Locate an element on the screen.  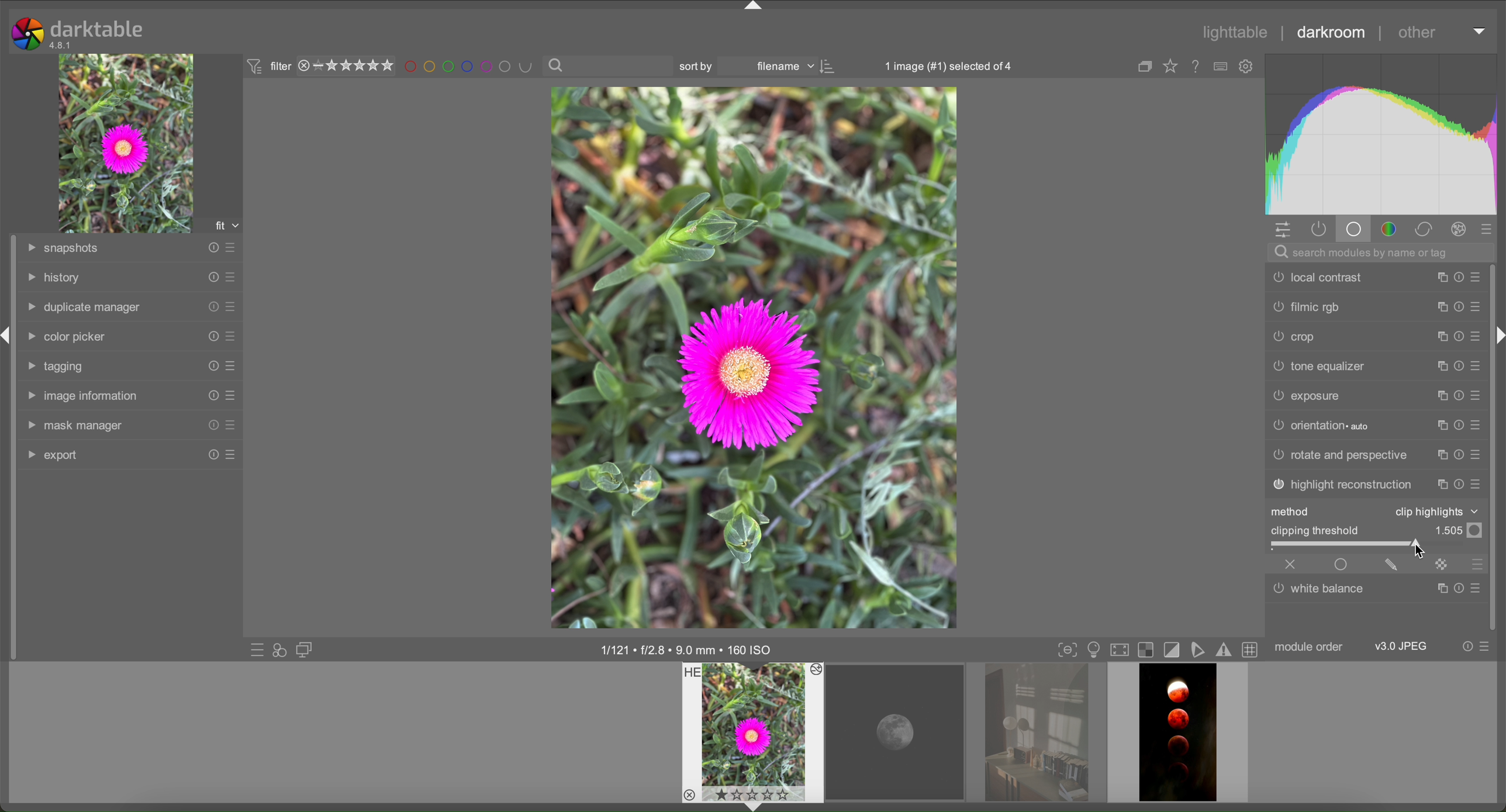
reset presets is located at coordinates (1456, 367).